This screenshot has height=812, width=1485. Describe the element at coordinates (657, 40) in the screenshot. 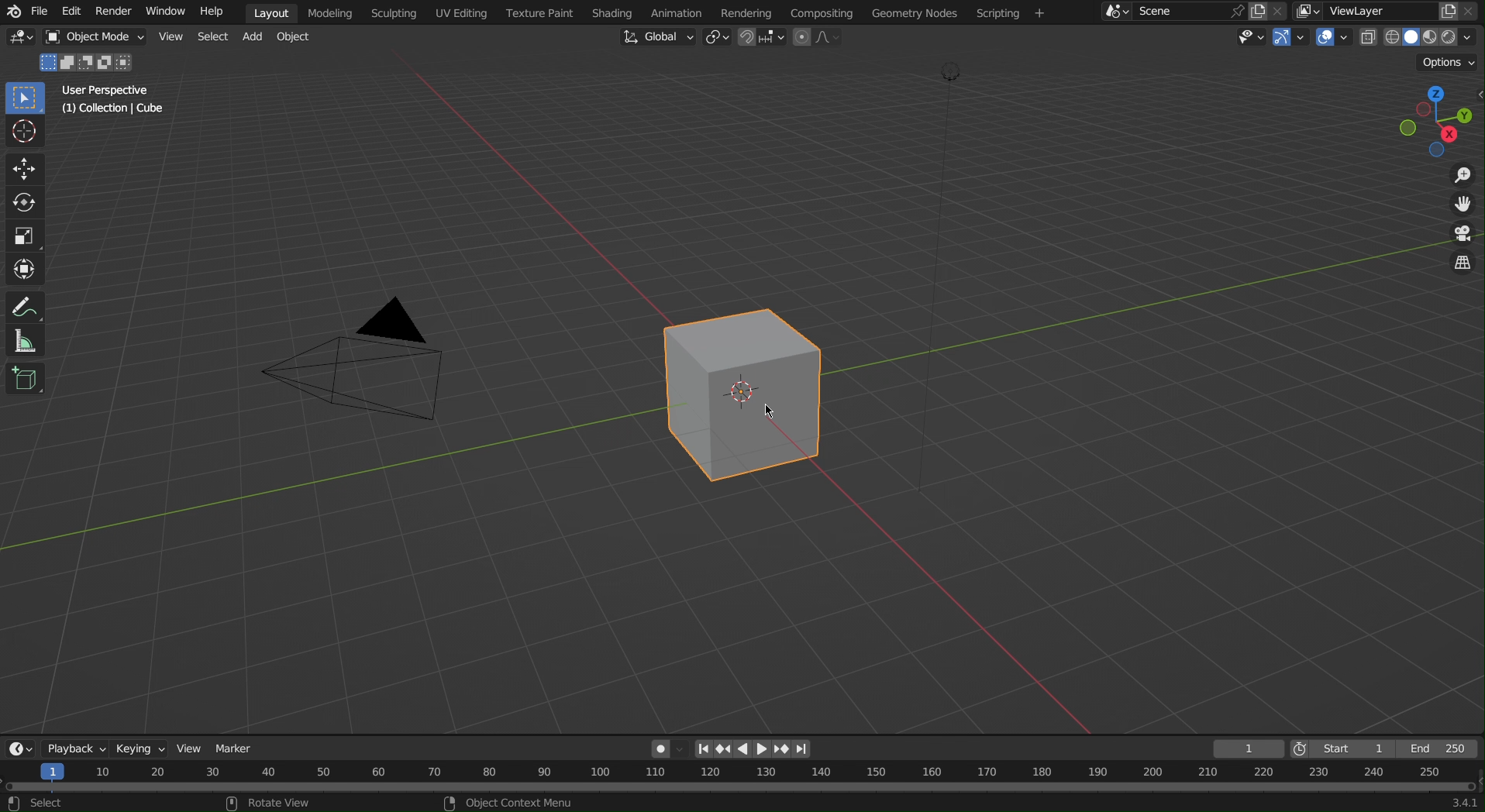

I see `Transformation Orientation` at that location.